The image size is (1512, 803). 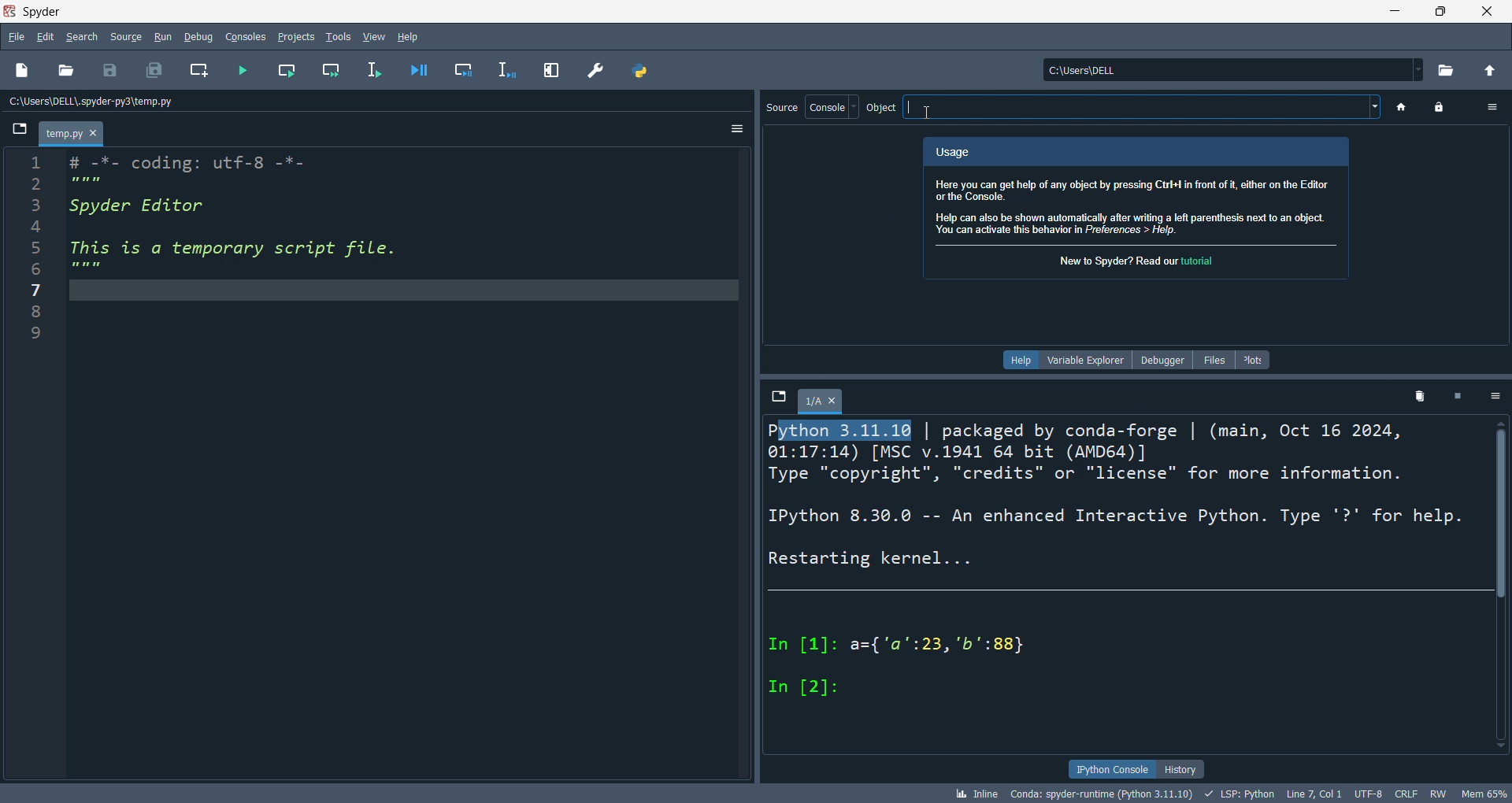 I want to click on minimize, so click(x=1396, y=12).